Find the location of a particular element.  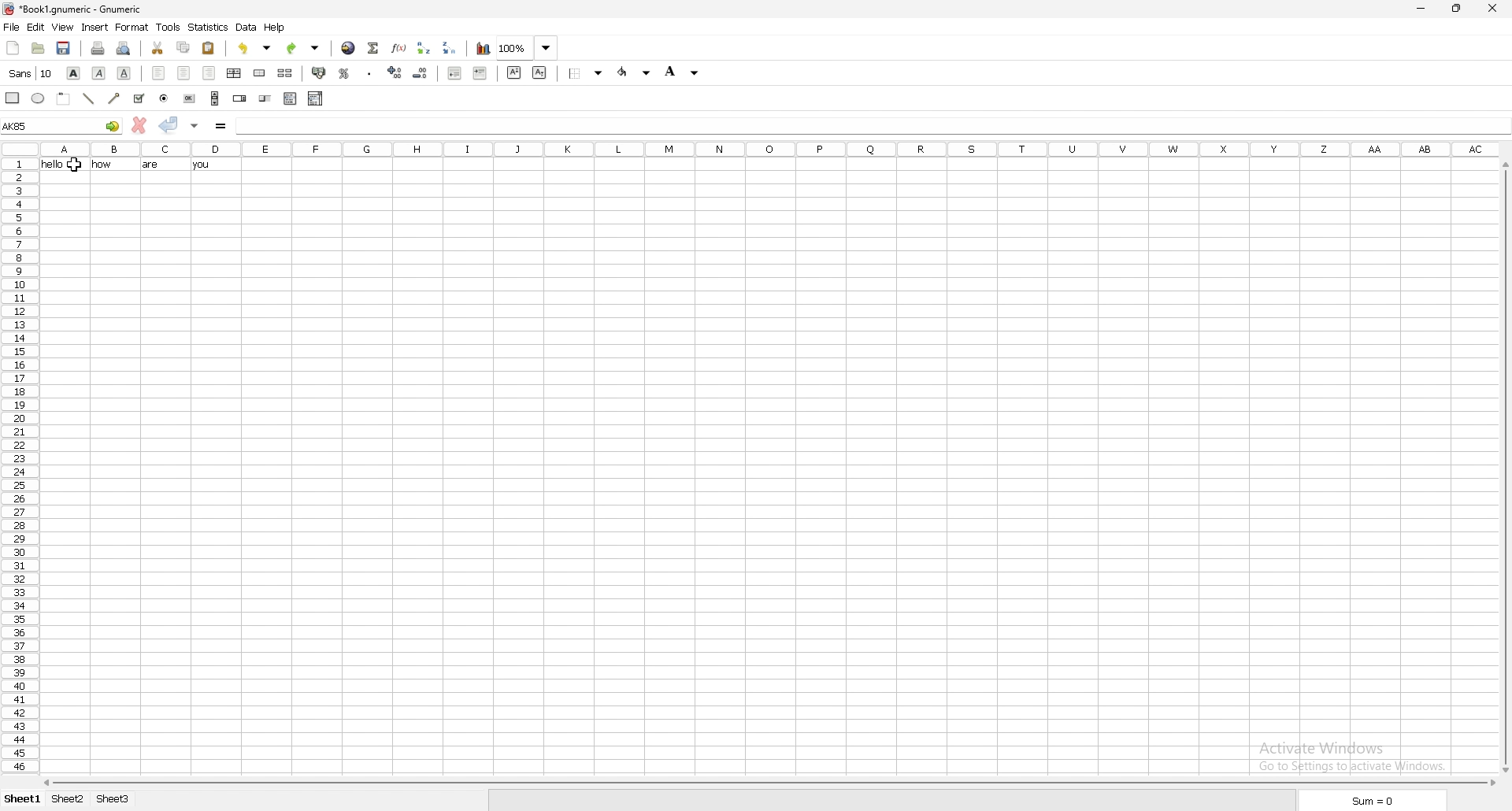

button is located at coordinates (190, 98).